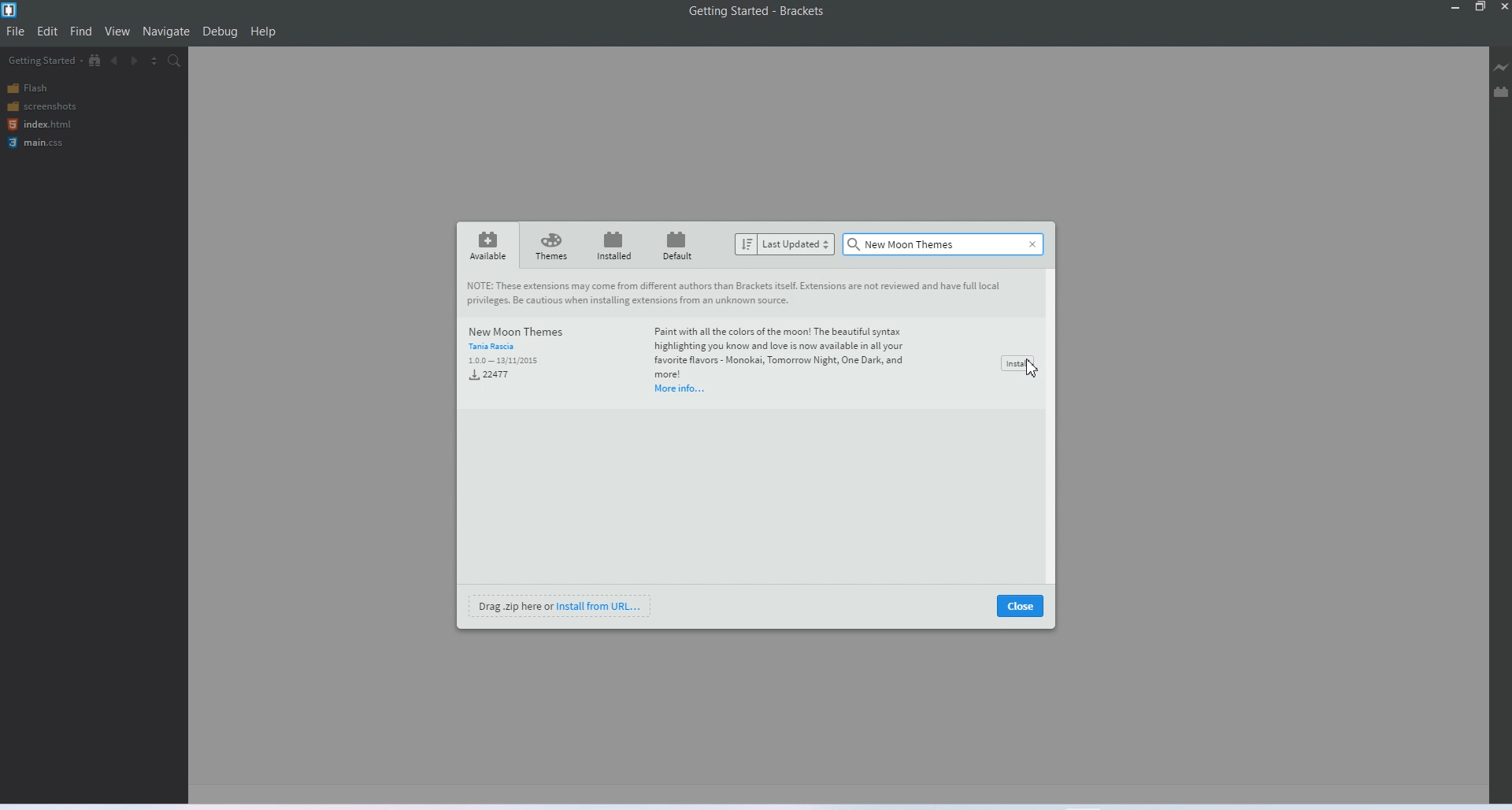  I want to click on Cursor, so click(1031, 369).